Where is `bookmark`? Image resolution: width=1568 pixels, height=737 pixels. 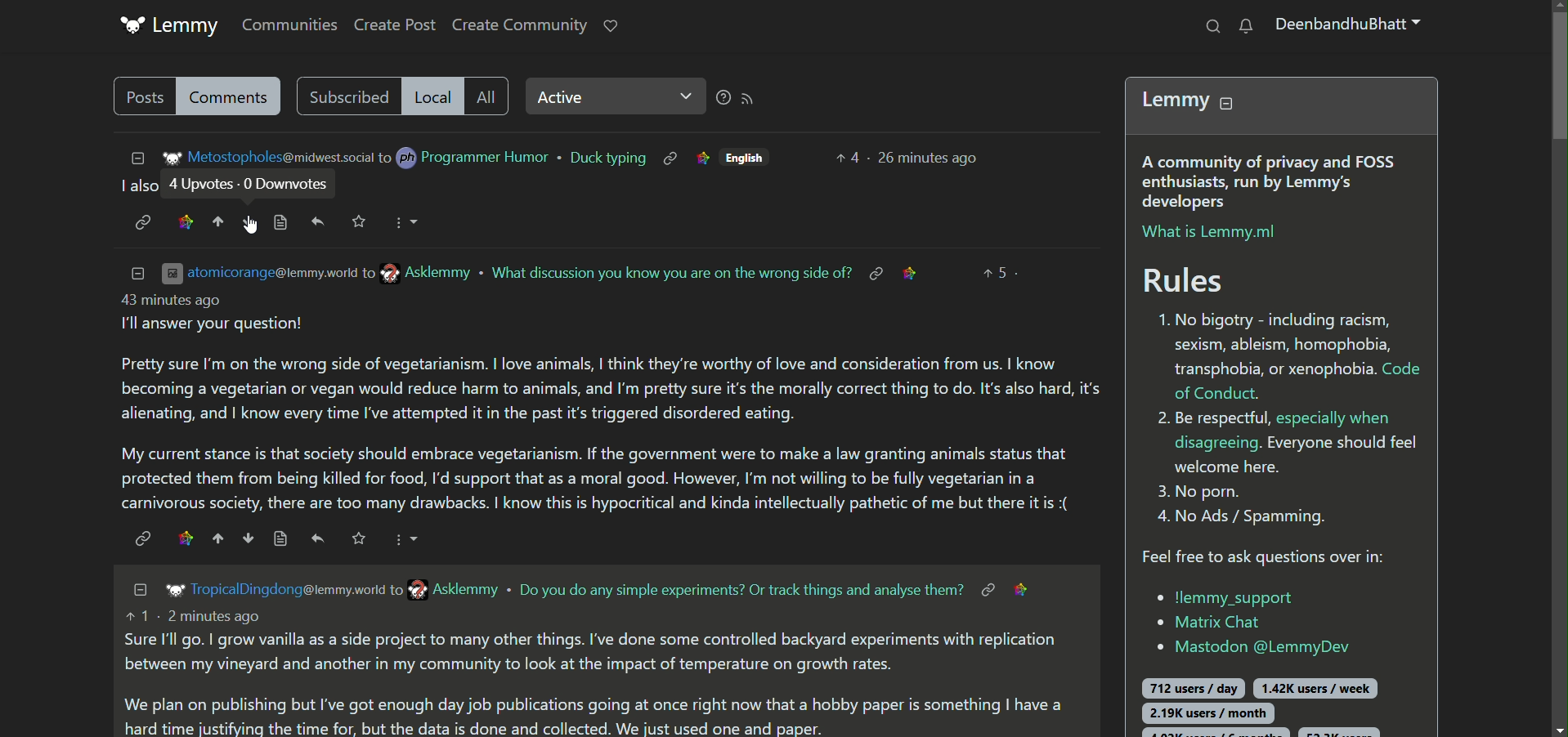
bookmark is located at coordinates (361, 221).